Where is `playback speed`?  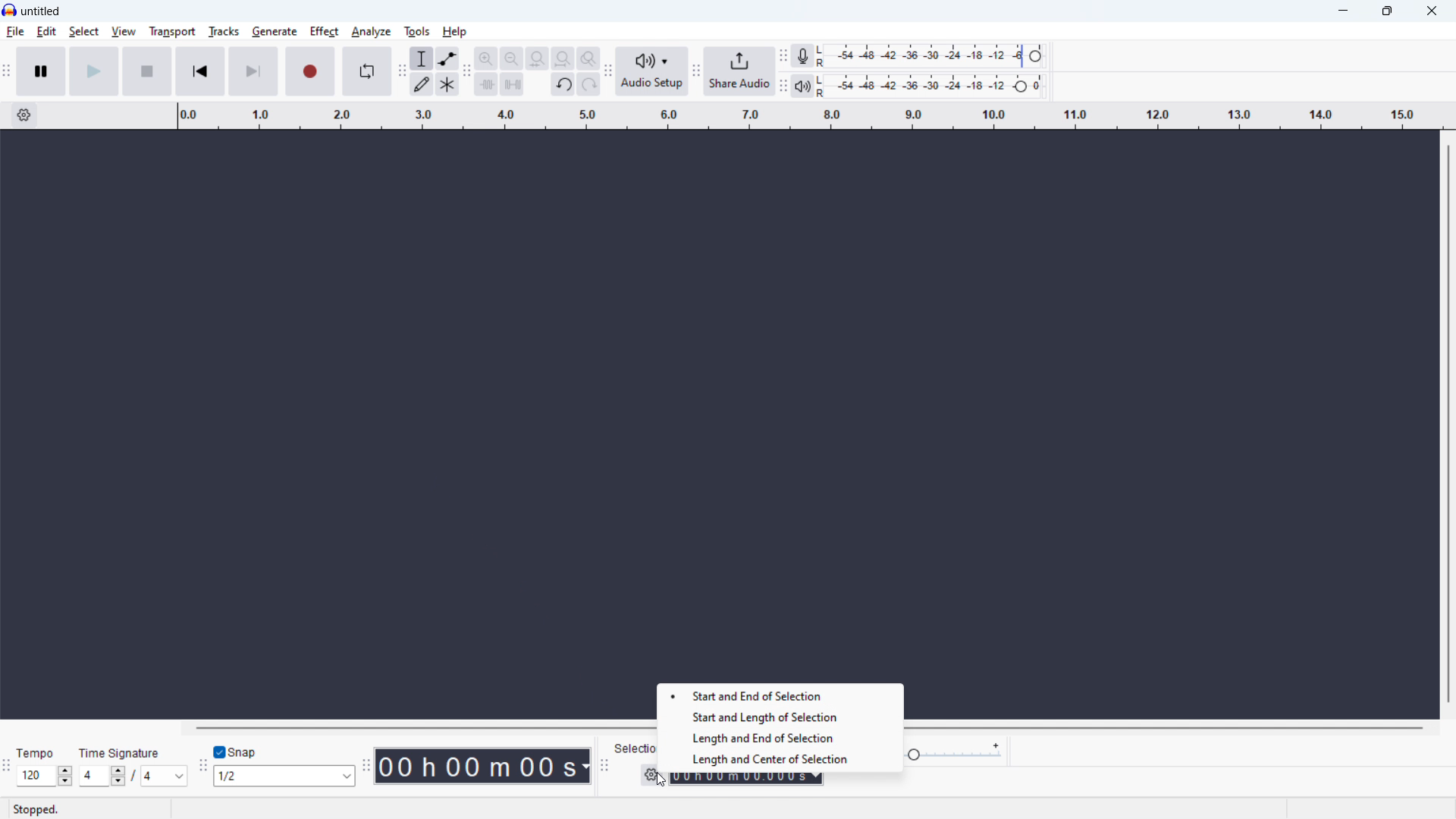 playback speed is located at coordinates (954, 752).